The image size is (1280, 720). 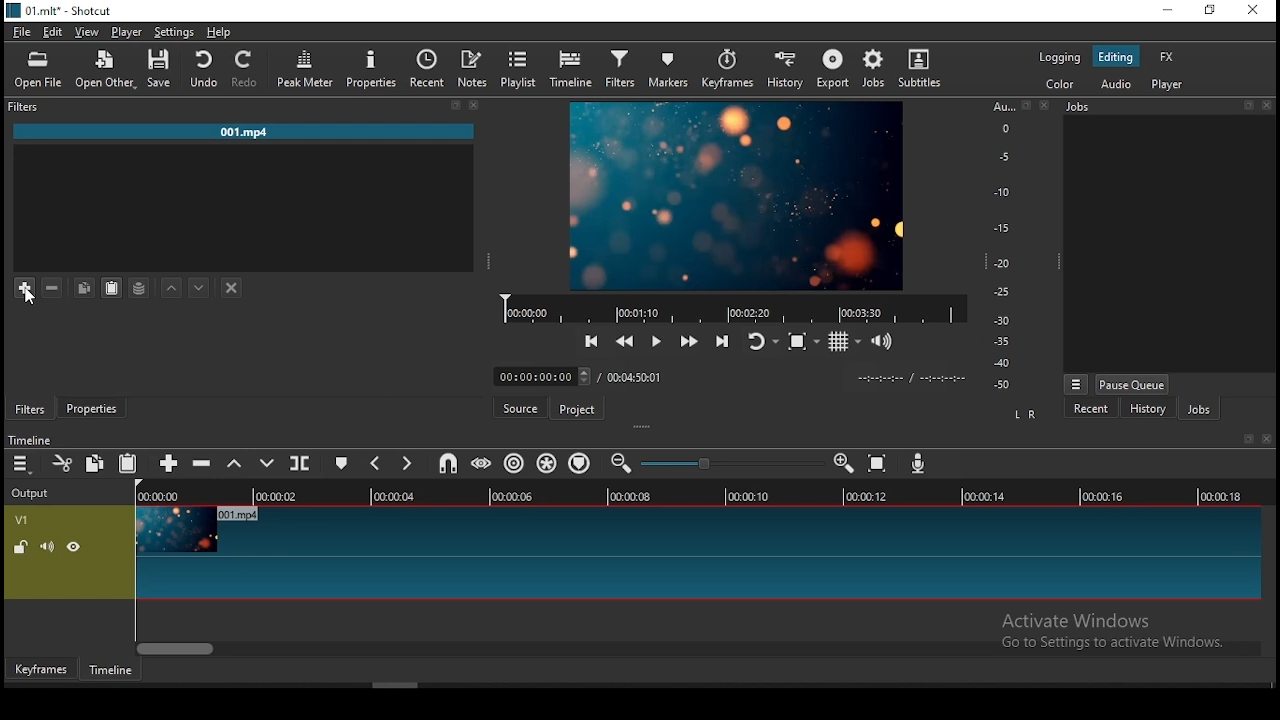 I want to click on player, so click(x=125, y=32).